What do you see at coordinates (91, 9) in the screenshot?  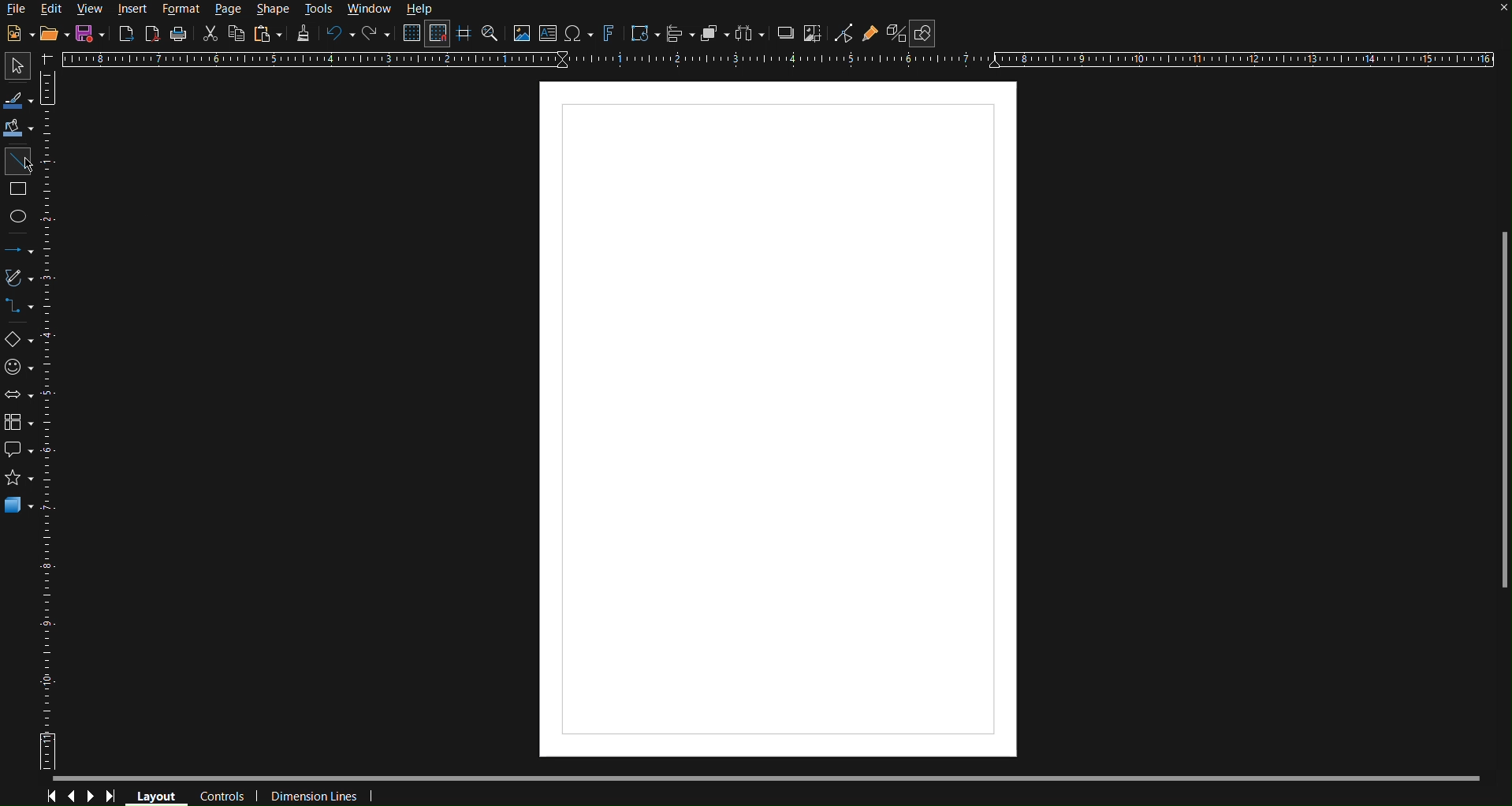 I see `View` at bounding box center [91, 9].